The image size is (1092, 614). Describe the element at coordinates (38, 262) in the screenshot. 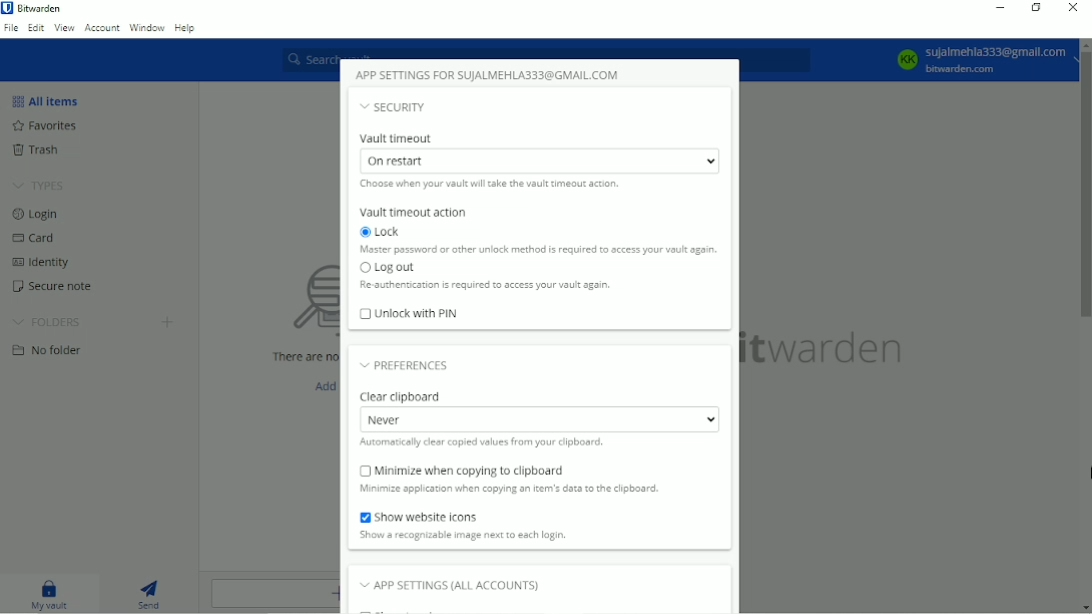

I see `Identity` at that location.